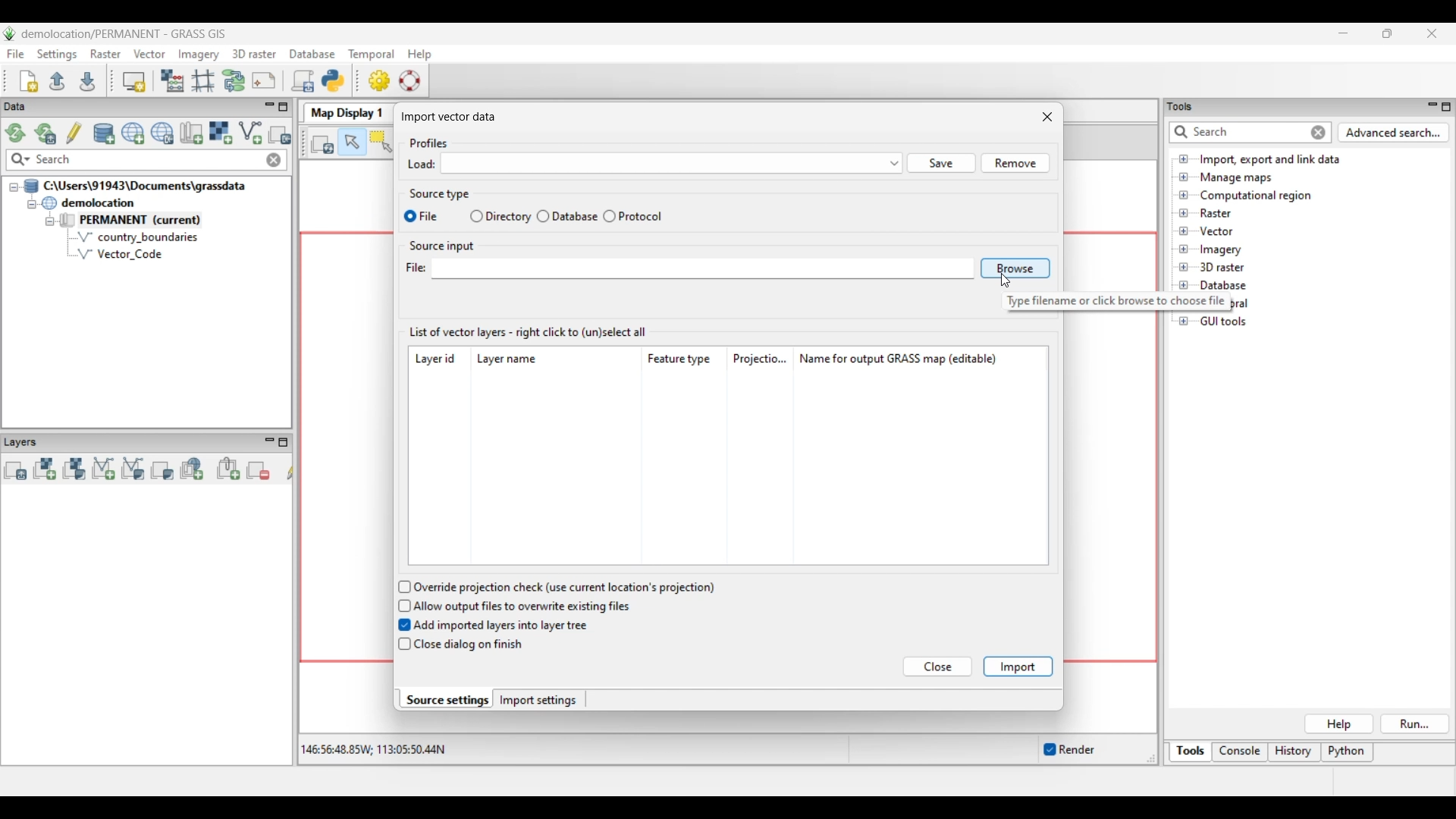  Describe the element at coordinates (203, 81) in the screenshot. I see `Georectifier` at that location.